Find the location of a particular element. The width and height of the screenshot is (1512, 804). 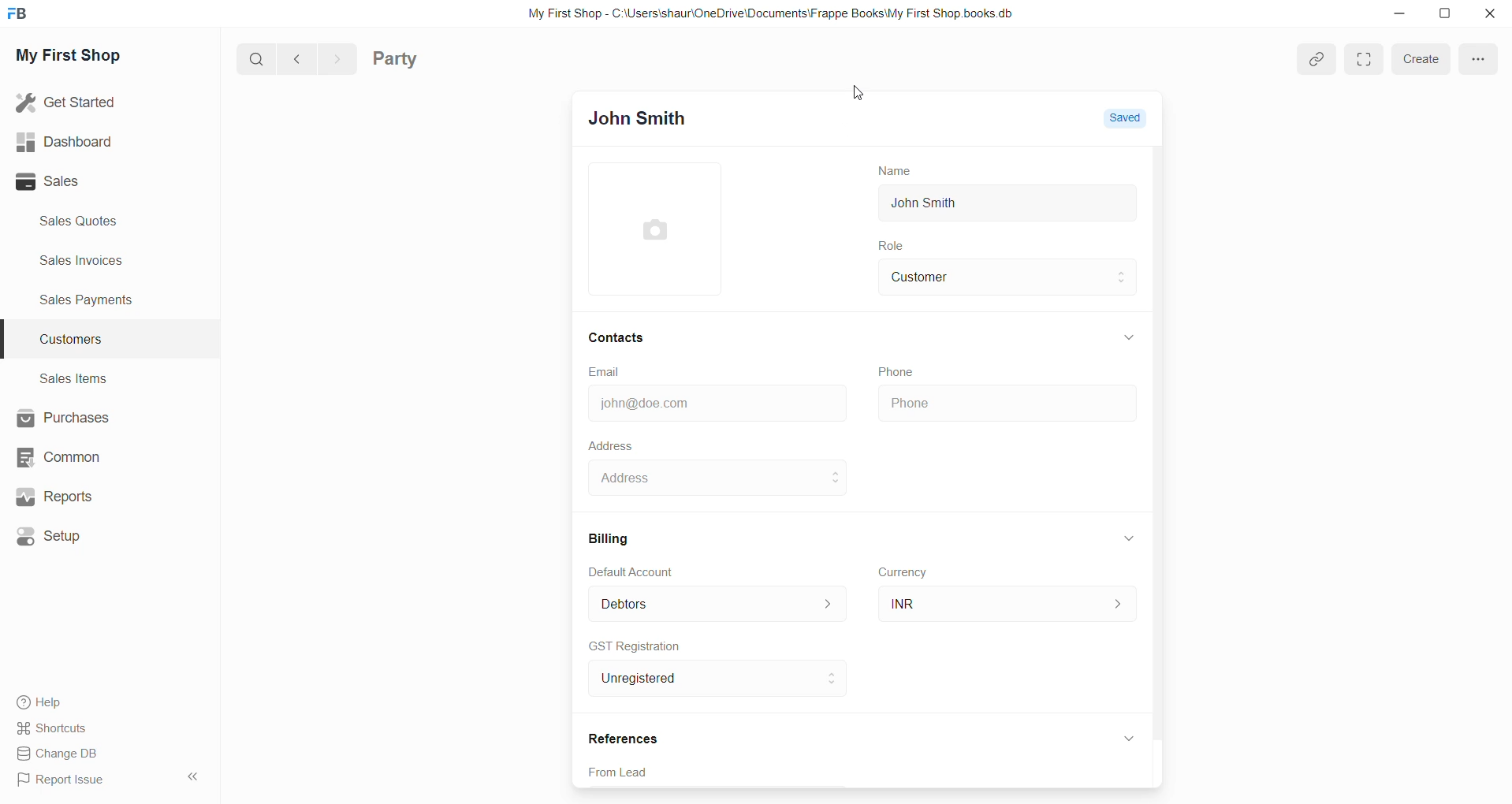

My First Shop - C:\Users\shaur\OneDrive\Documents\Frappe BooksiMy First Shop books db is located at coordinates (763, 13).